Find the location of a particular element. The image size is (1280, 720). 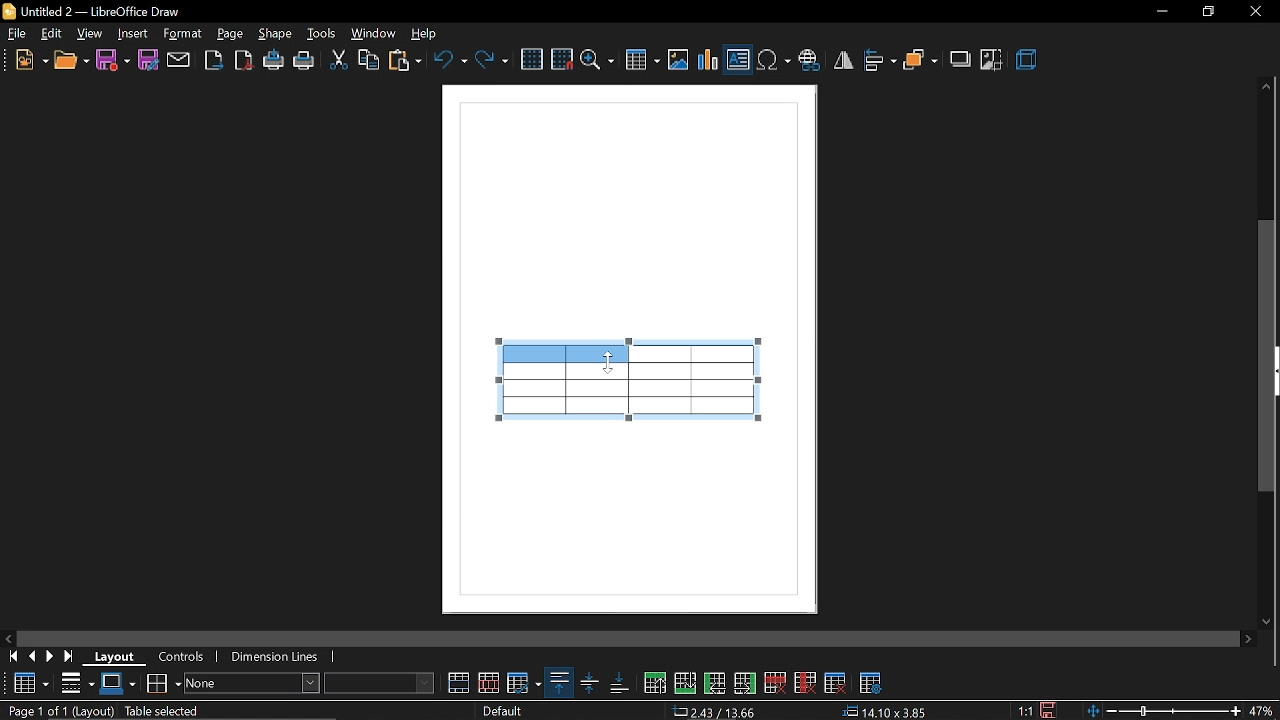

go to first page is located at coordinates (10, 656).